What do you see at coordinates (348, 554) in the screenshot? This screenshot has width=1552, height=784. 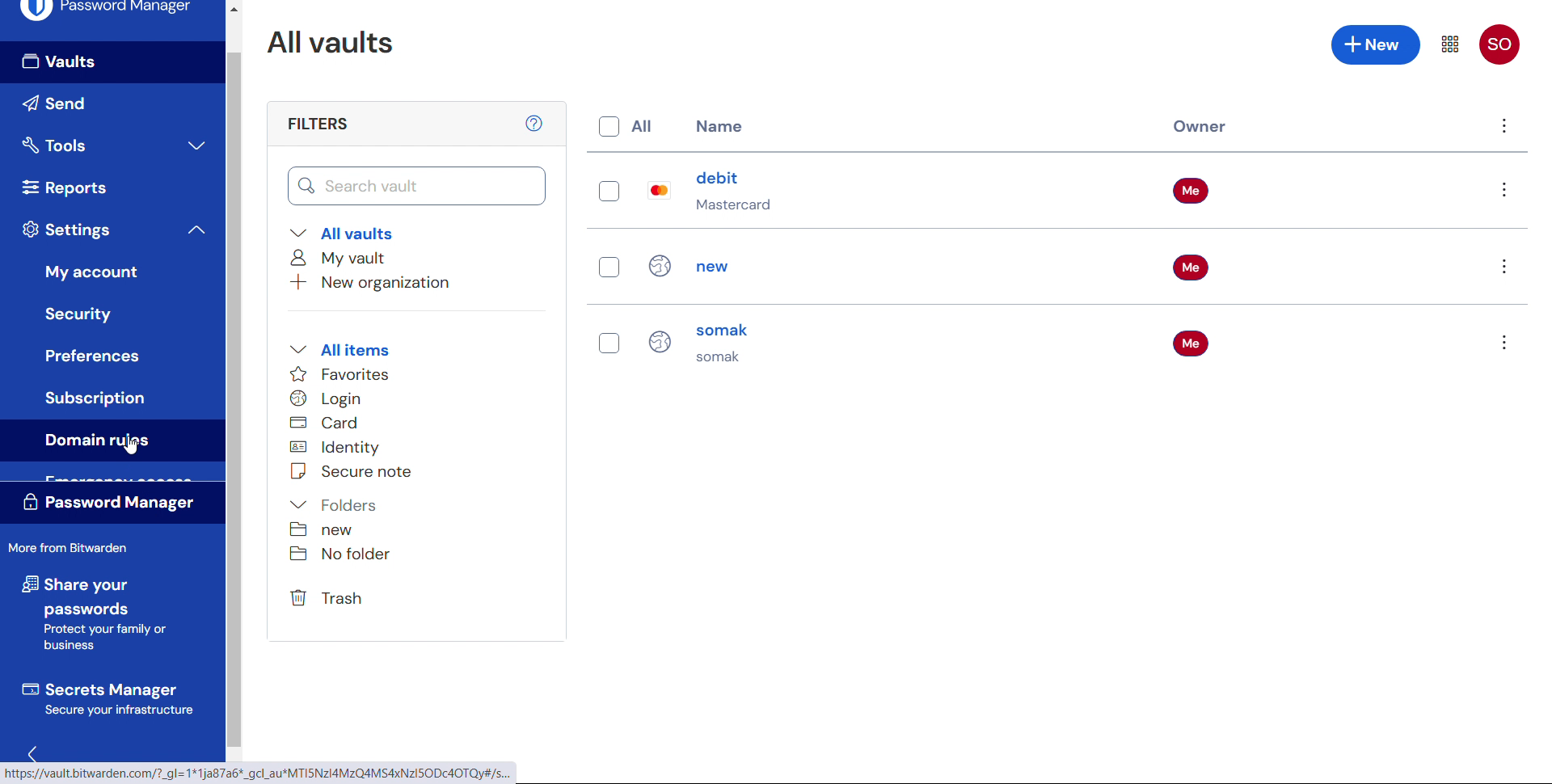 I see `No folder ` at bounding box center [348, 554].